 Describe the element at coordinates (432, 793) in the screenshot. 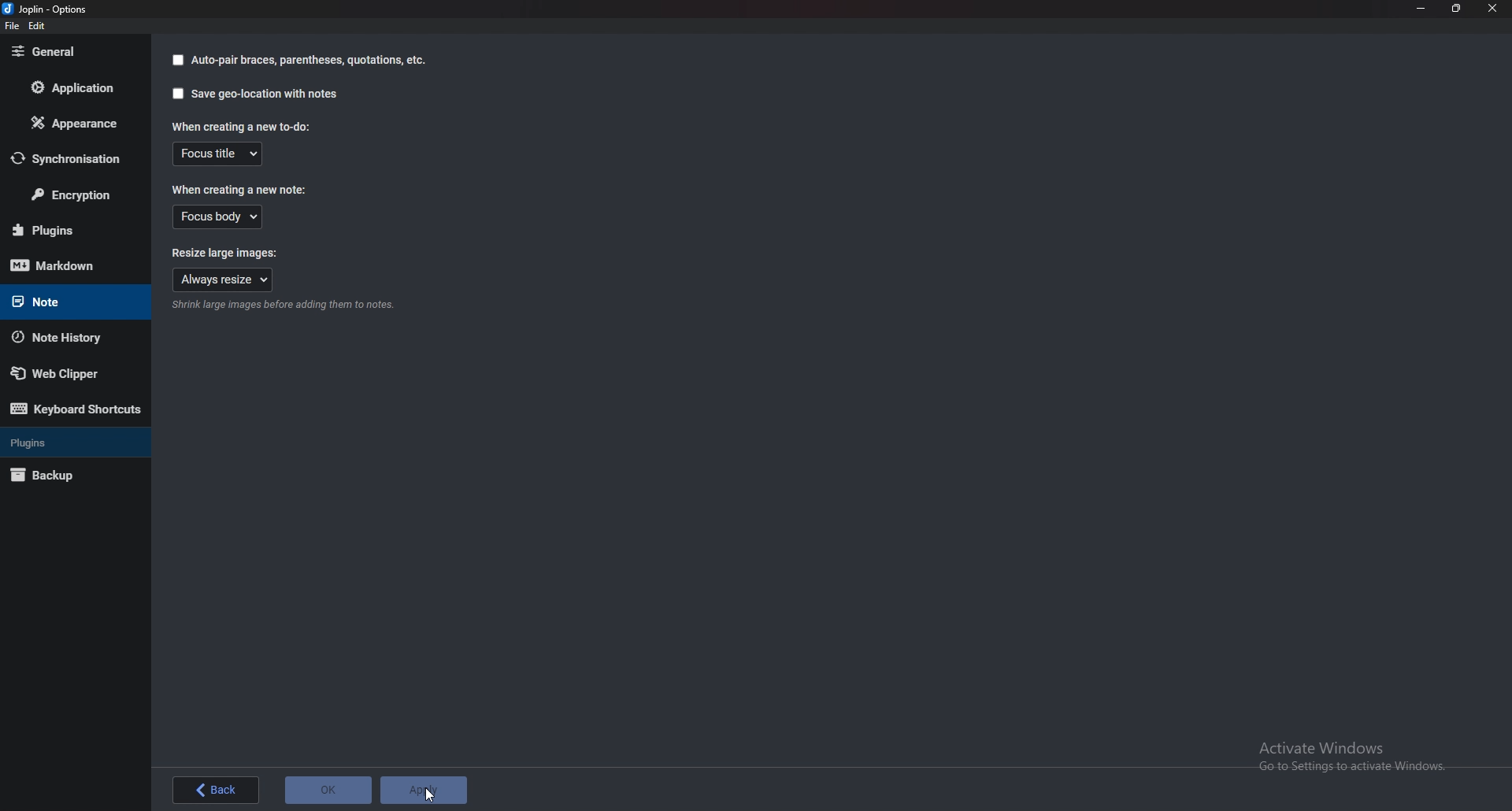

I see `Cursor` at that location.